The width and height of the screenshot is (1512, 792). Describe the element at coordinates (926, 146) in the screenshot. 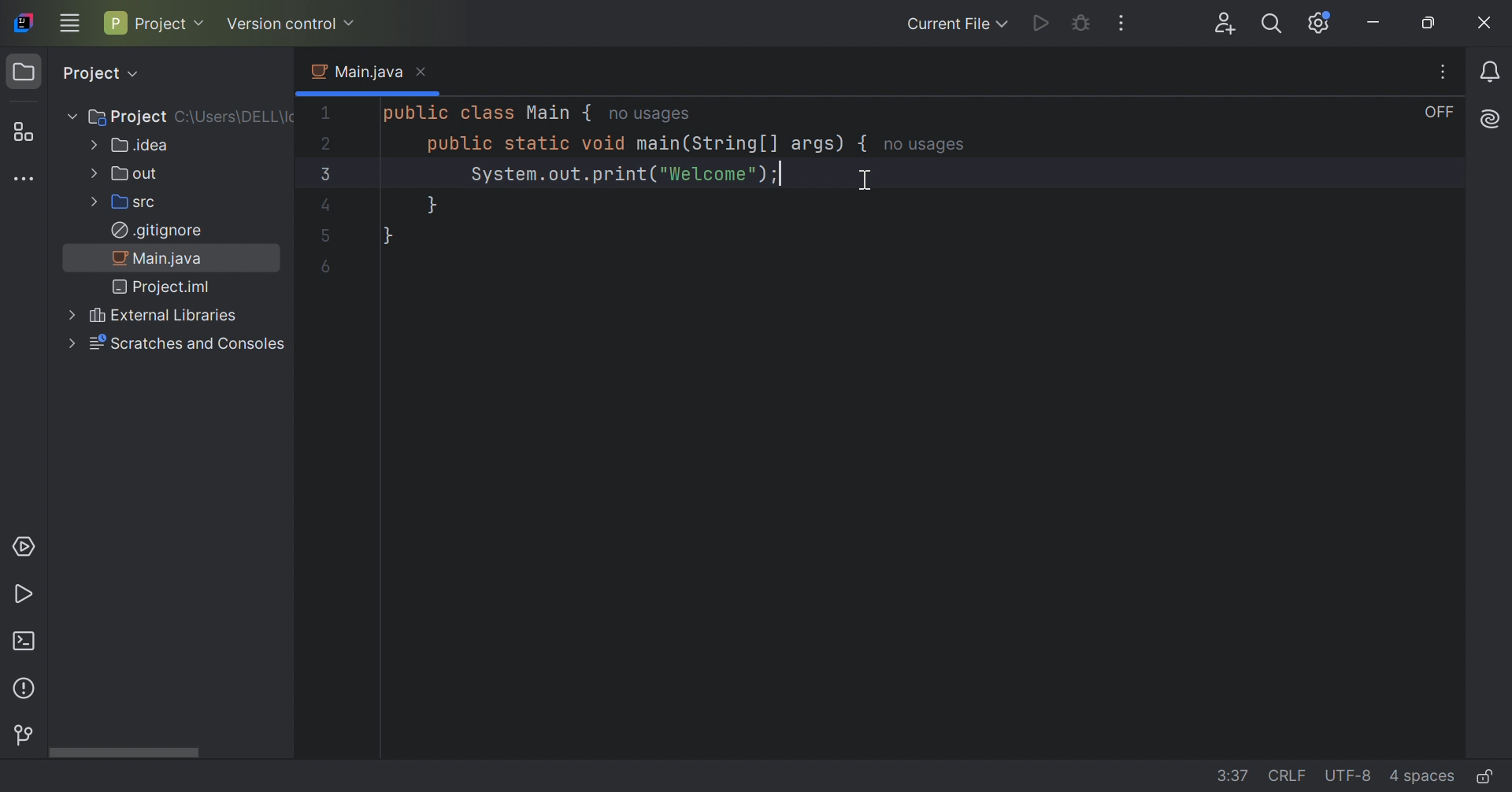

I see `no usages` at that location.